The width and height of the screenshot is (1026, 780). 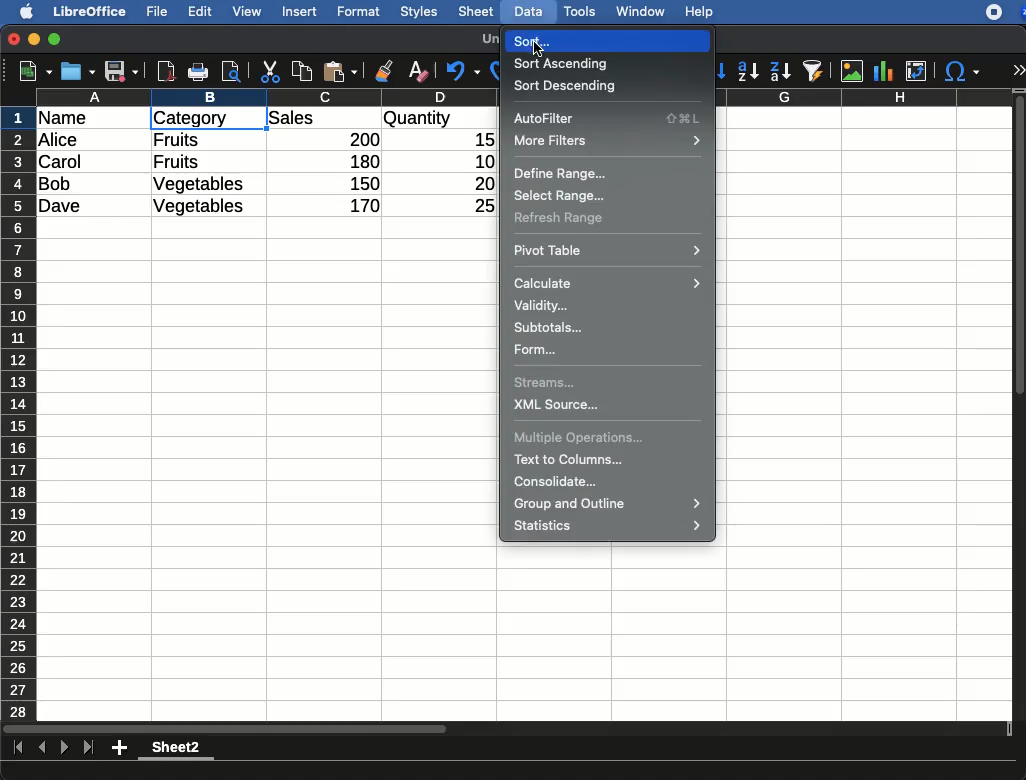 What do you see at coordinates (361, 183) in the screenshot?
I see `150` at bounding box center [361, 183].